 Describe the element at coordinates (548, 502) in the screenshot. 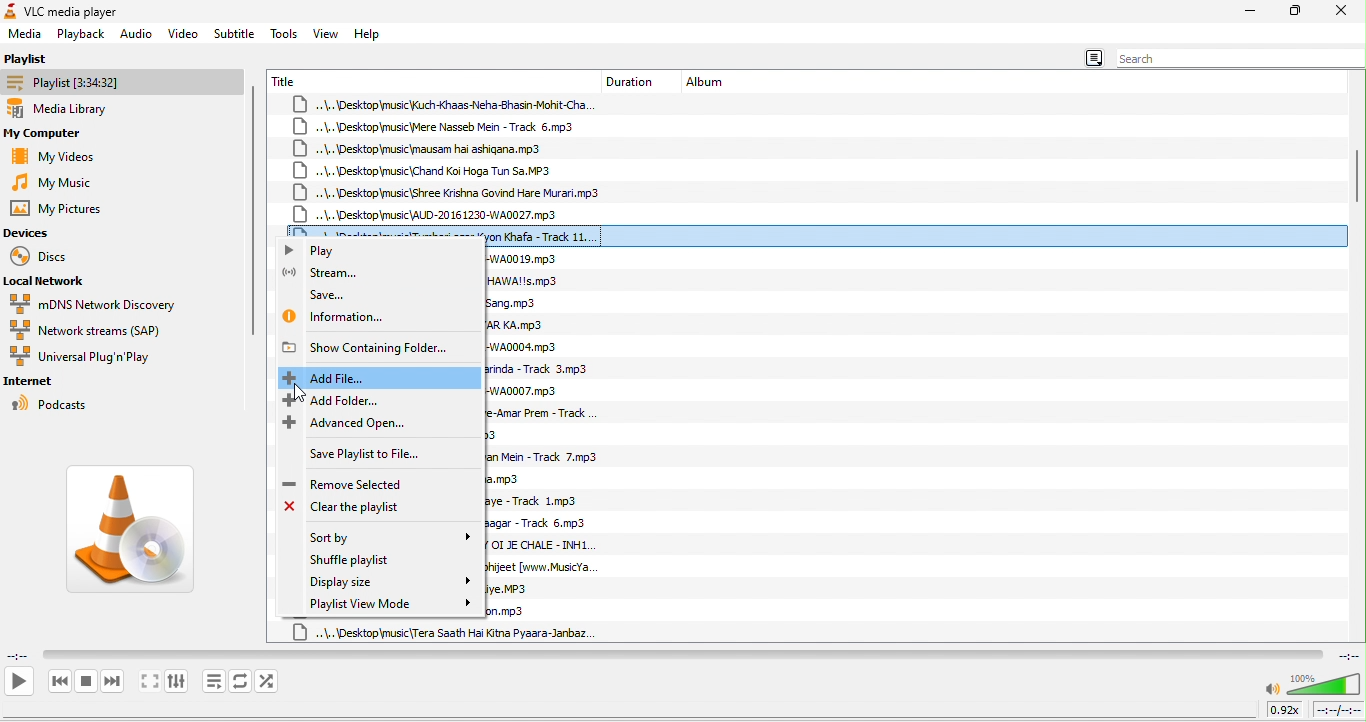

I see `\..\Desktop\music\Nazar Na Lag Jaye - Track 1.mp3` at that location.